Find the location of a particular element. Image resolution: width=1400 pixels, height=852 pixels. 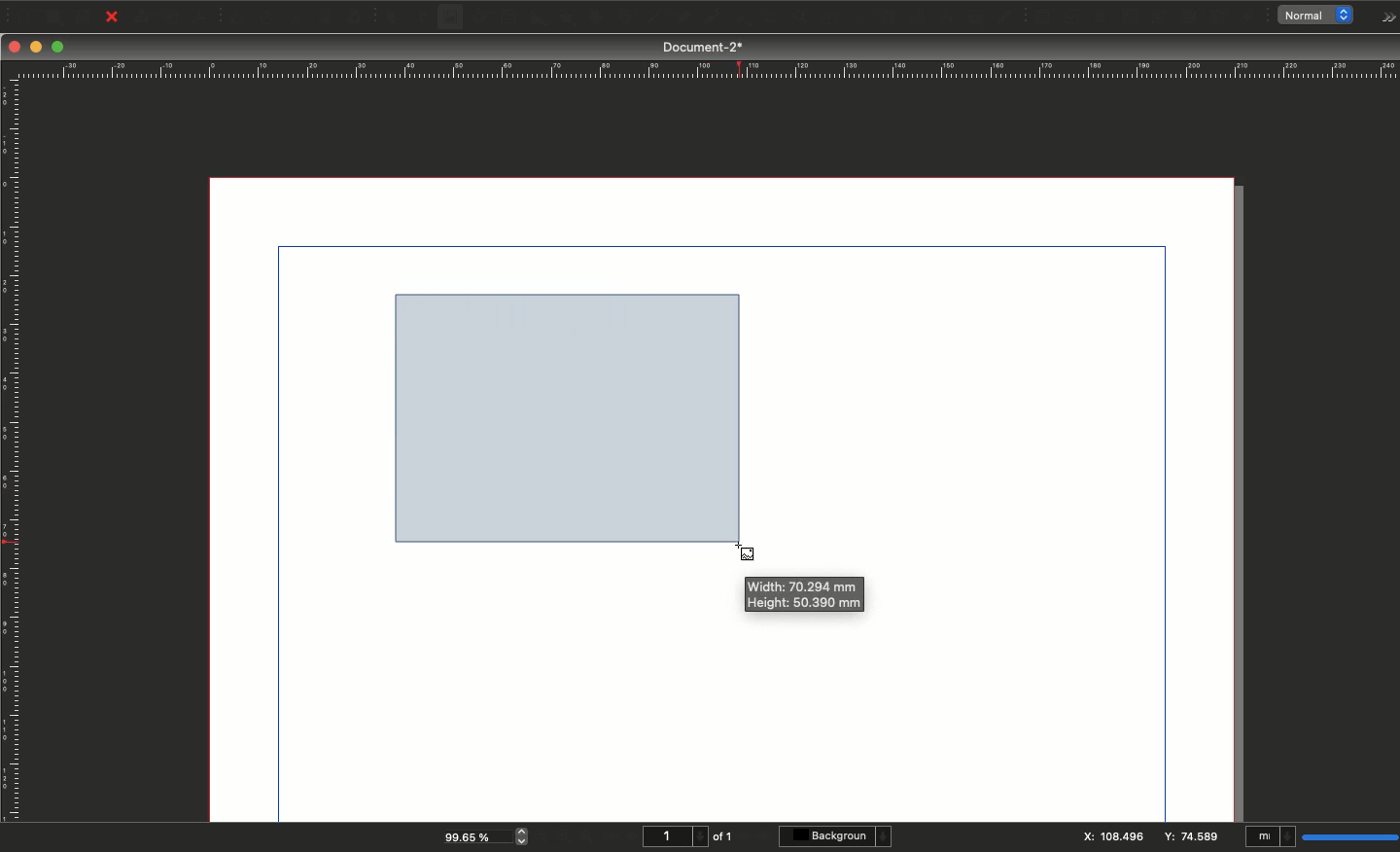

Save as PDF is located at coordinates (202, 17).